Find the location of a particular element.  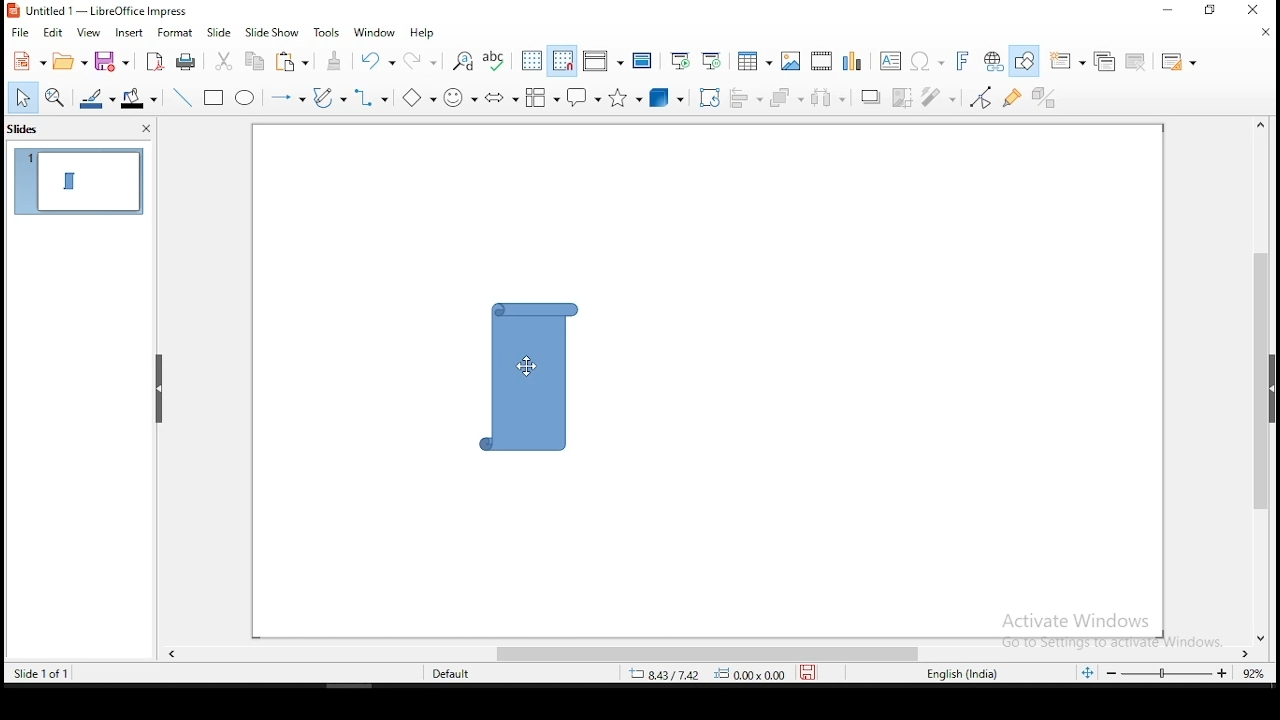

basic shapes is located at coordinates (420, 98).